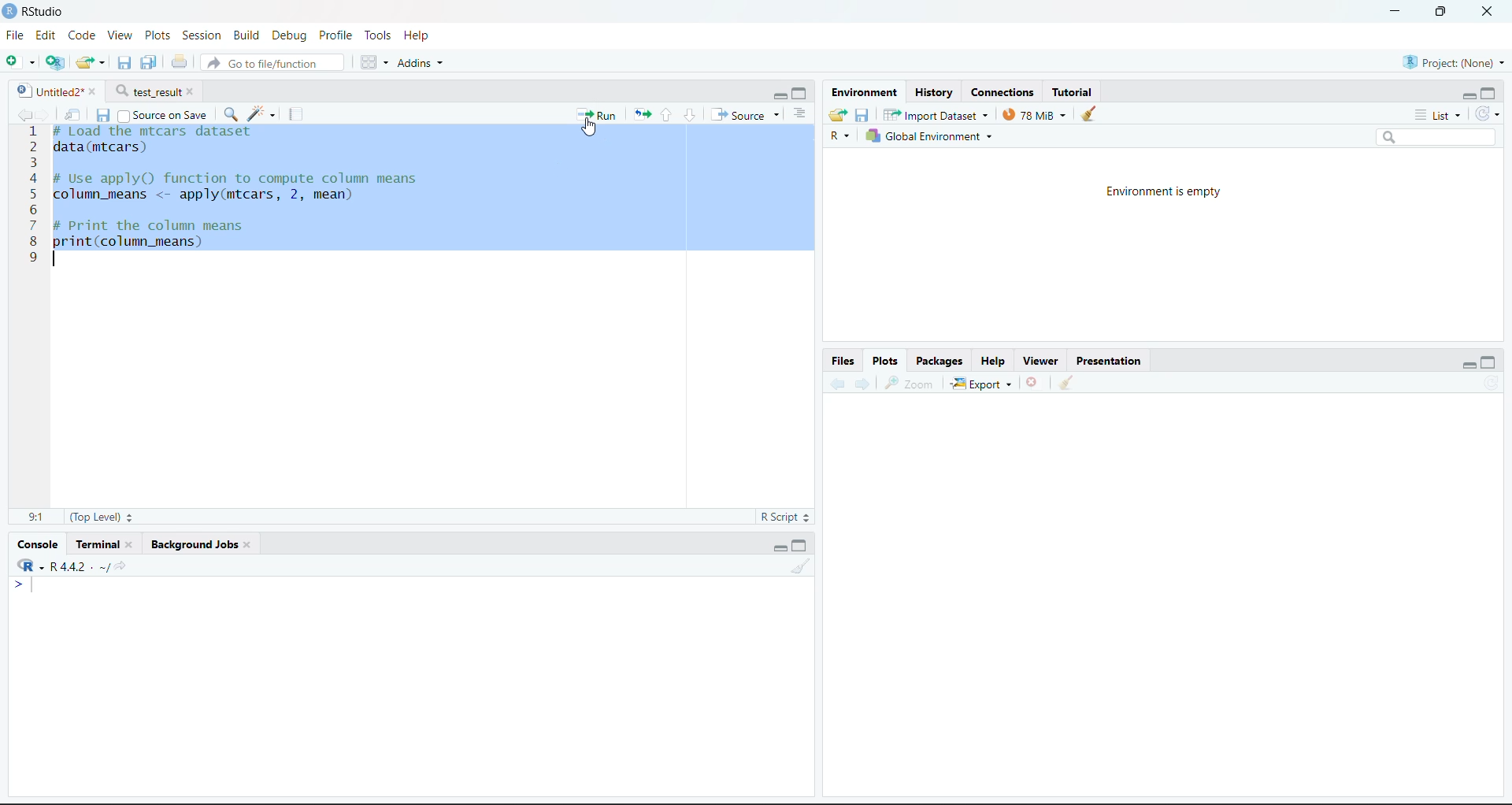  Describe the element at coordinates (689, 114) in the screenshot. I see `Go to next section/chunk (Ctrl + pgDn)` at that location.